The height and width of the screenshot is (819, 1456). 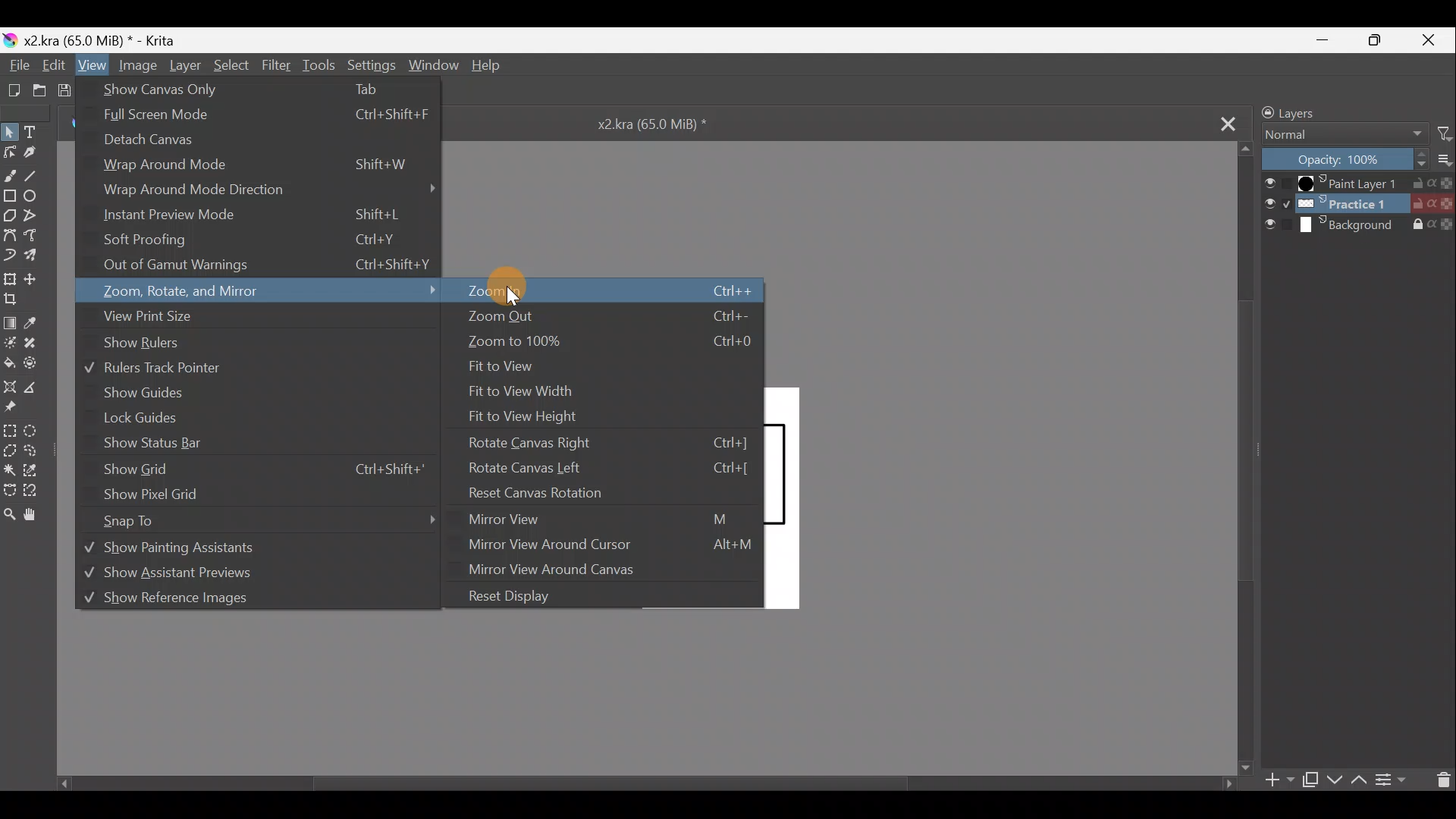 I want to click on Window, so click(x=429, y=67).